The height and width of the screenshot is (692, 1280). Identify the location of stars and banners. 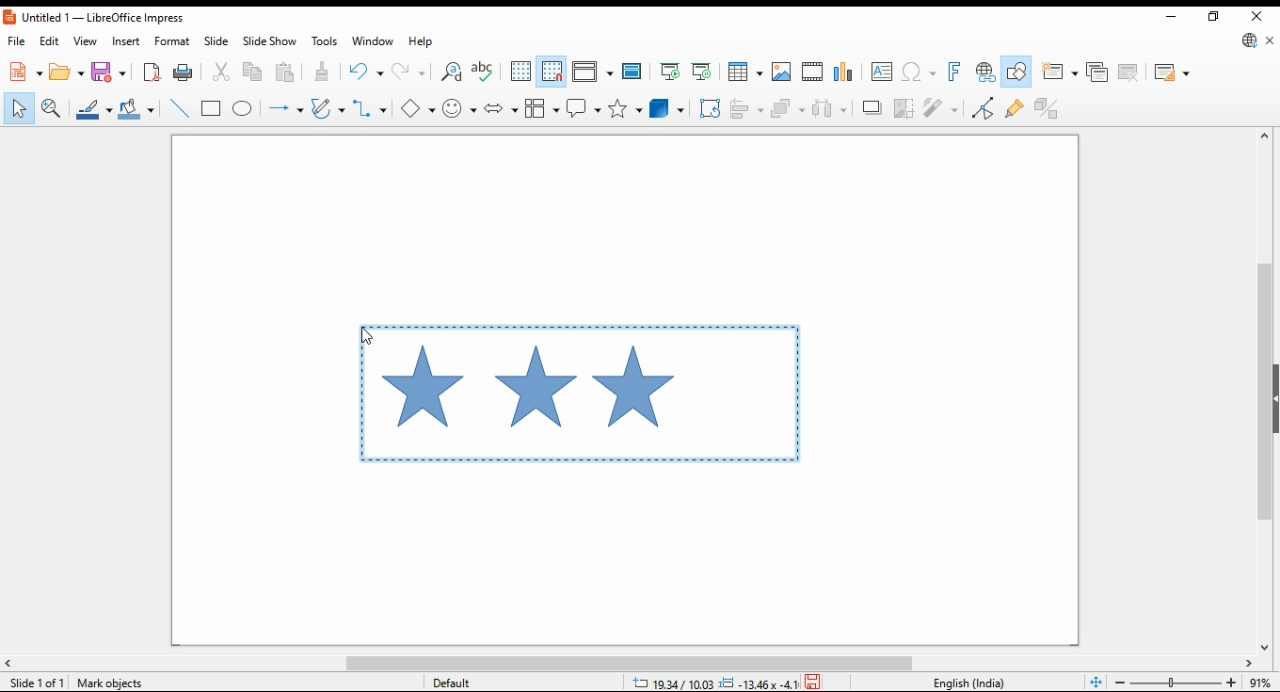
(624, 108).